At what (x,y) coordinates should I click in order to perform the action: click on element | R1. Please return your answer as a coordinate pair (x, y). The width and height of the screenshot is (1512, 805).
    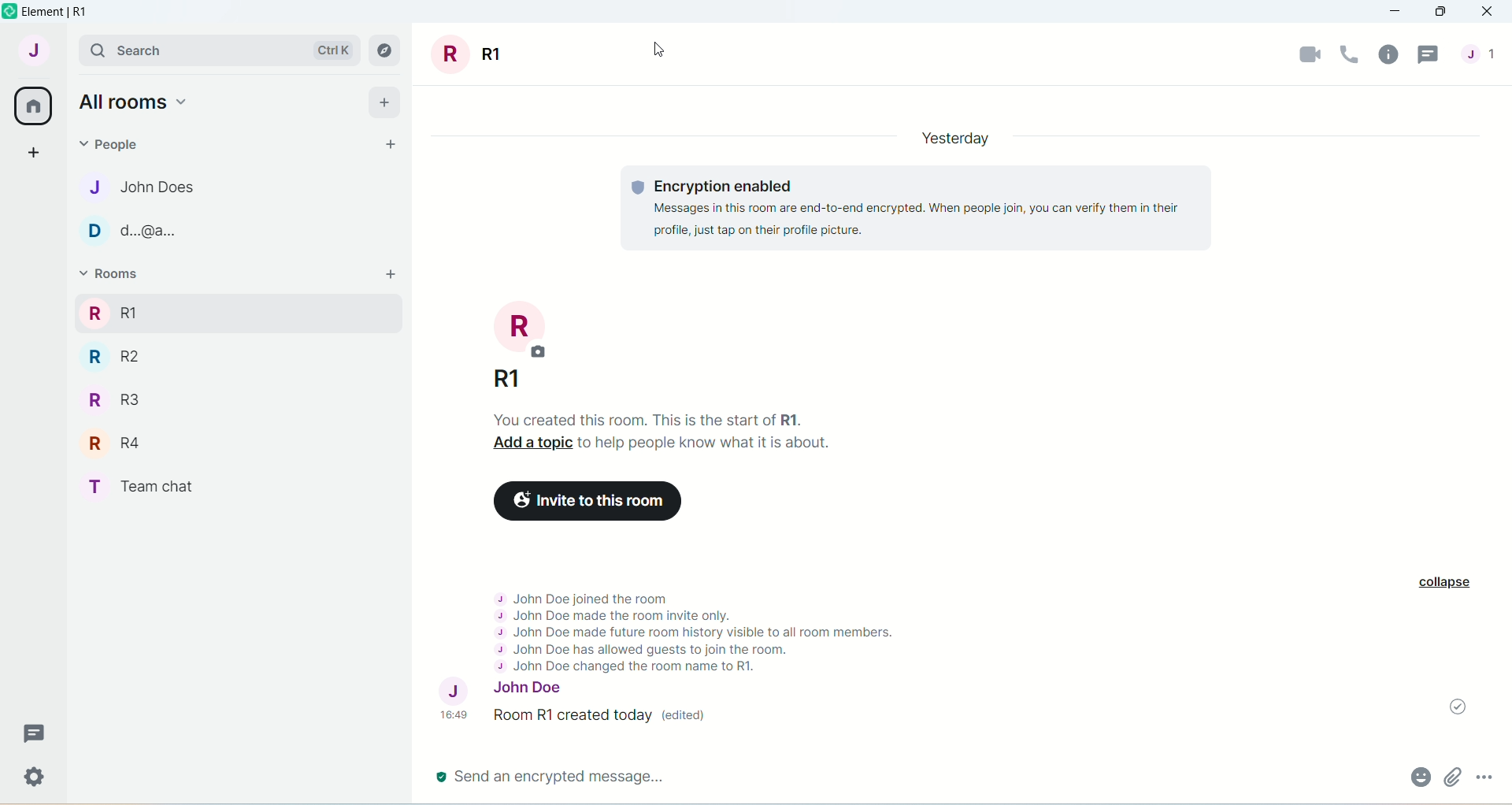
    Looking at the image, I should click on (64, 13).